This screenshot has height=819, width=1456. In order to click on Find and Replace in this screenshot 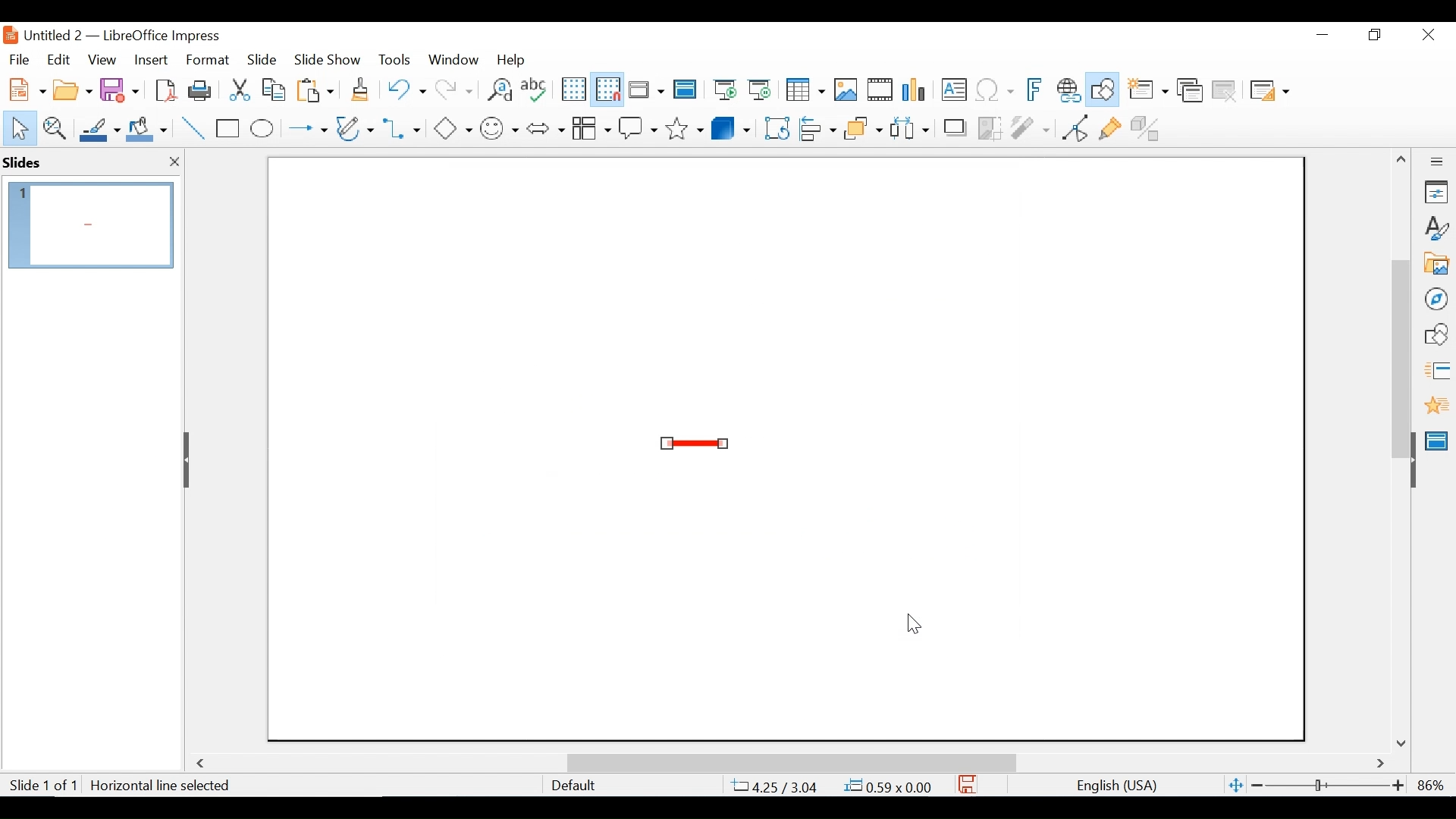, I will do `click(499, 89)`.